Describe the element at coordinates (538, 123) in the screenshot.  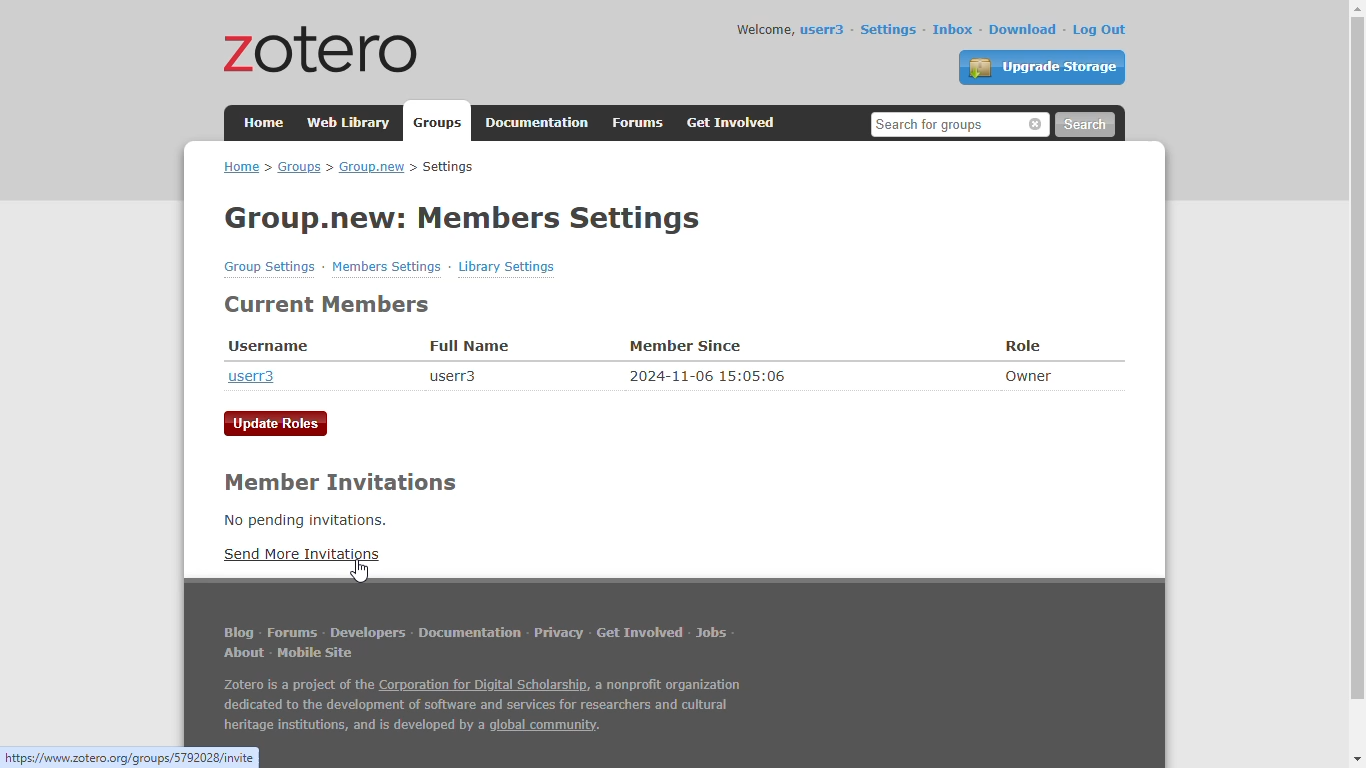
I see `documentation` at that location.